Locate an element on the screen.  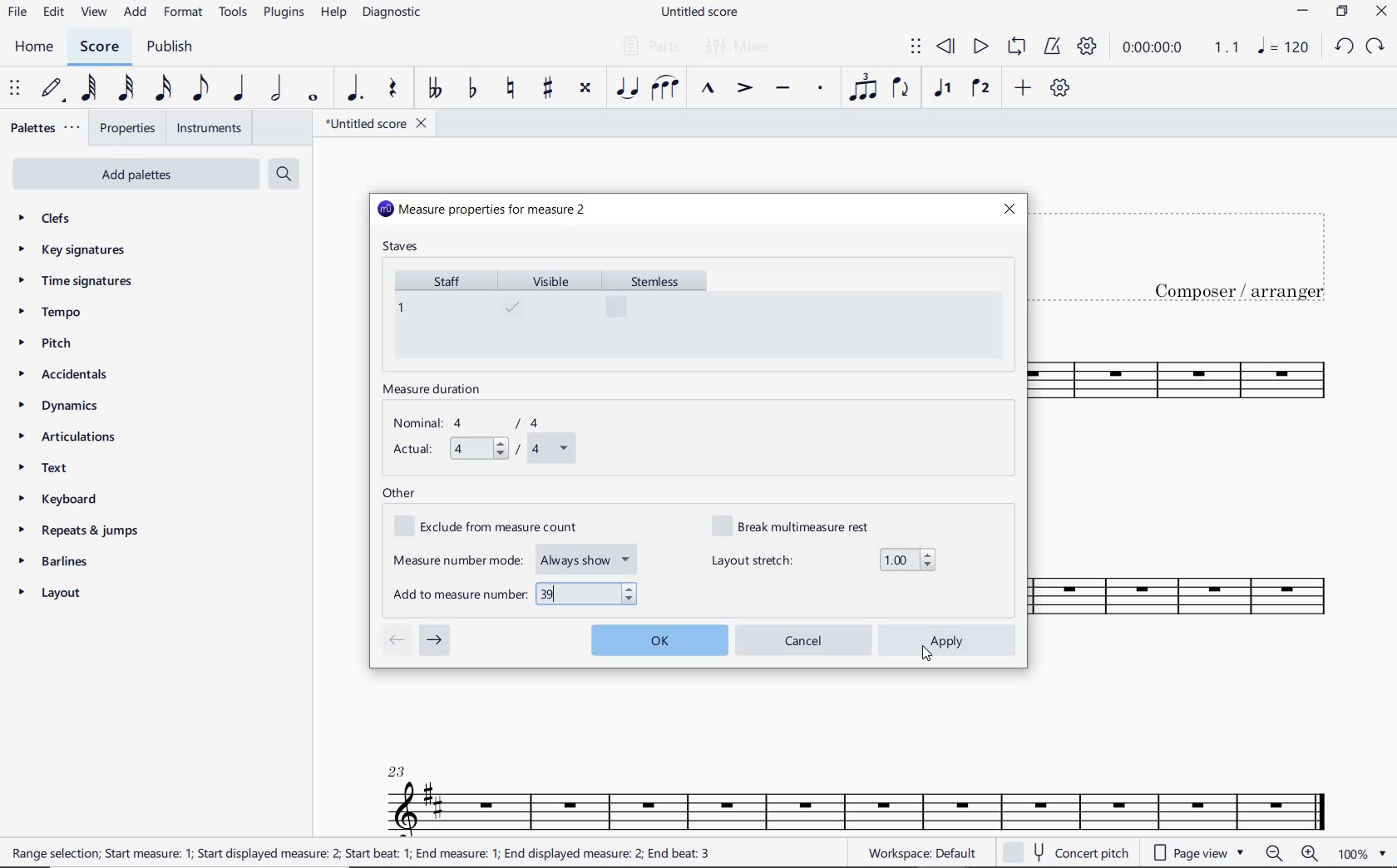
VOICE 1 is located at coordinates (941, 89).